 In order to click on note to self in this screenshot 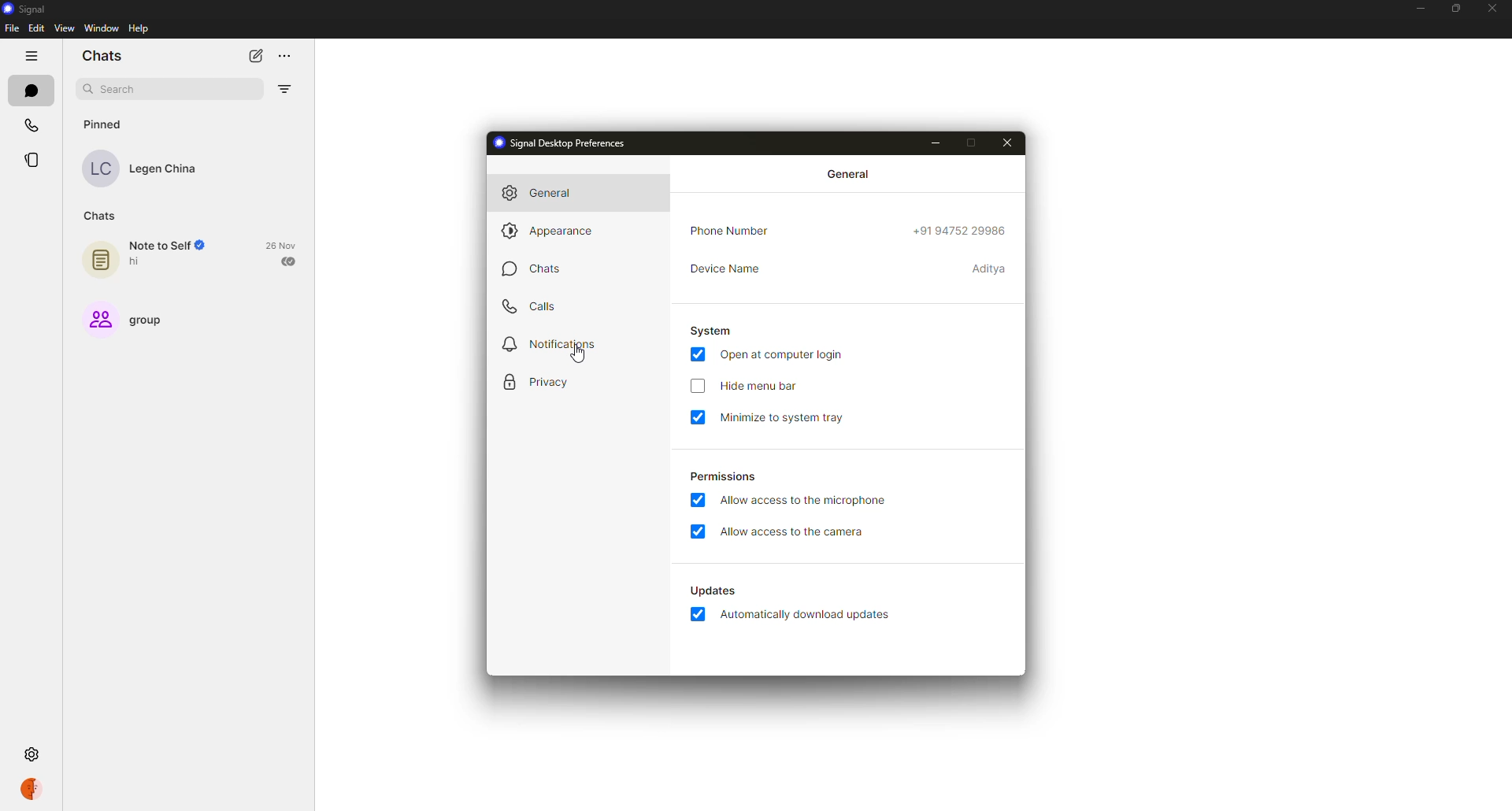, I will do `click(151, 257)`.